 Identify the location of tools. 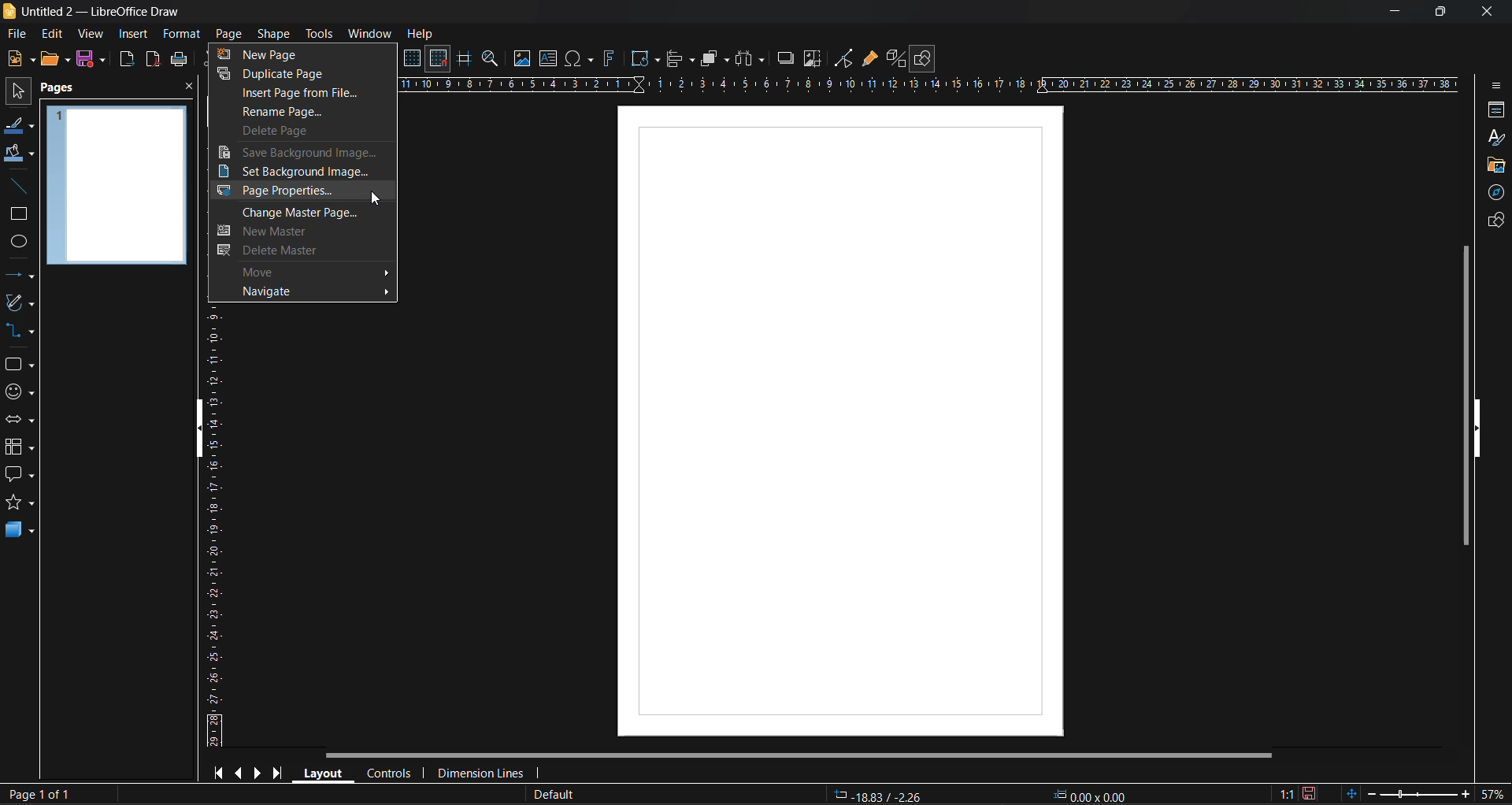
(320, 33).